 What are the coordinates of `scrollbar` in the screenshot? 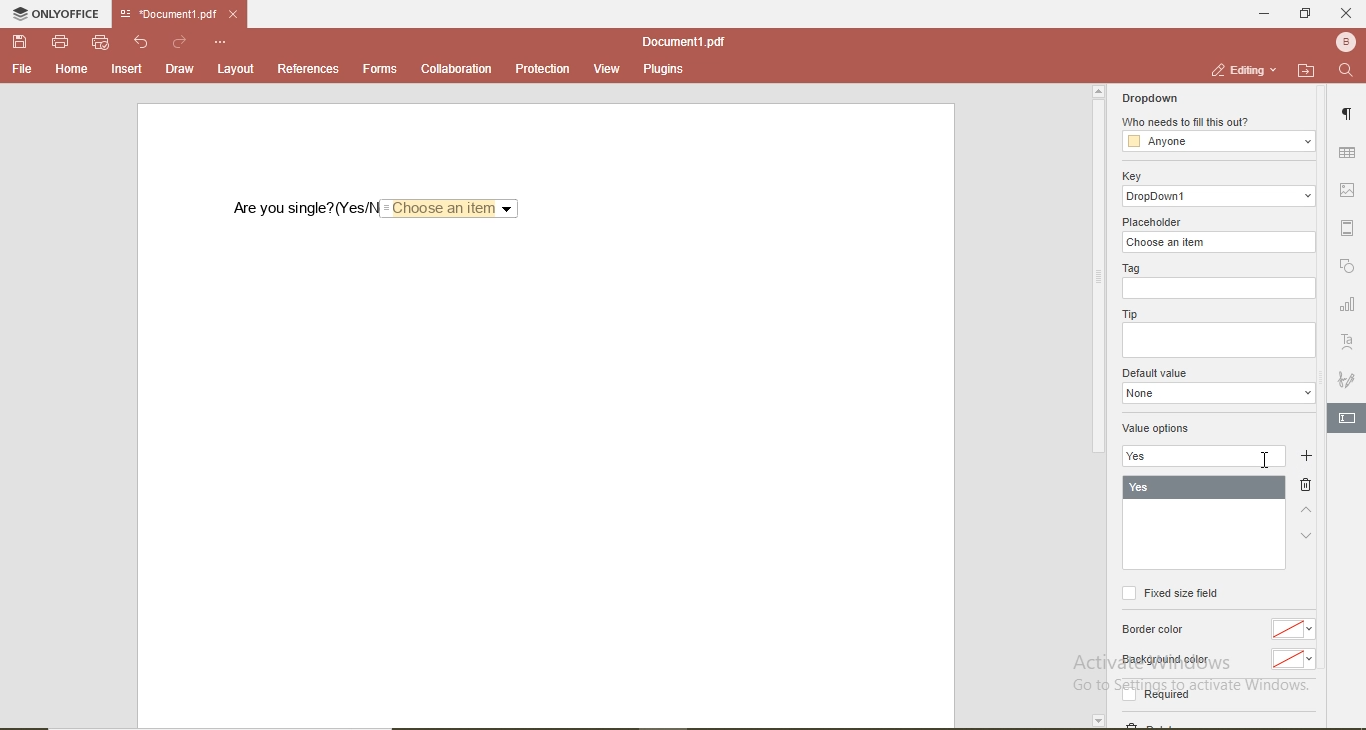 It's located at (1097, 269).